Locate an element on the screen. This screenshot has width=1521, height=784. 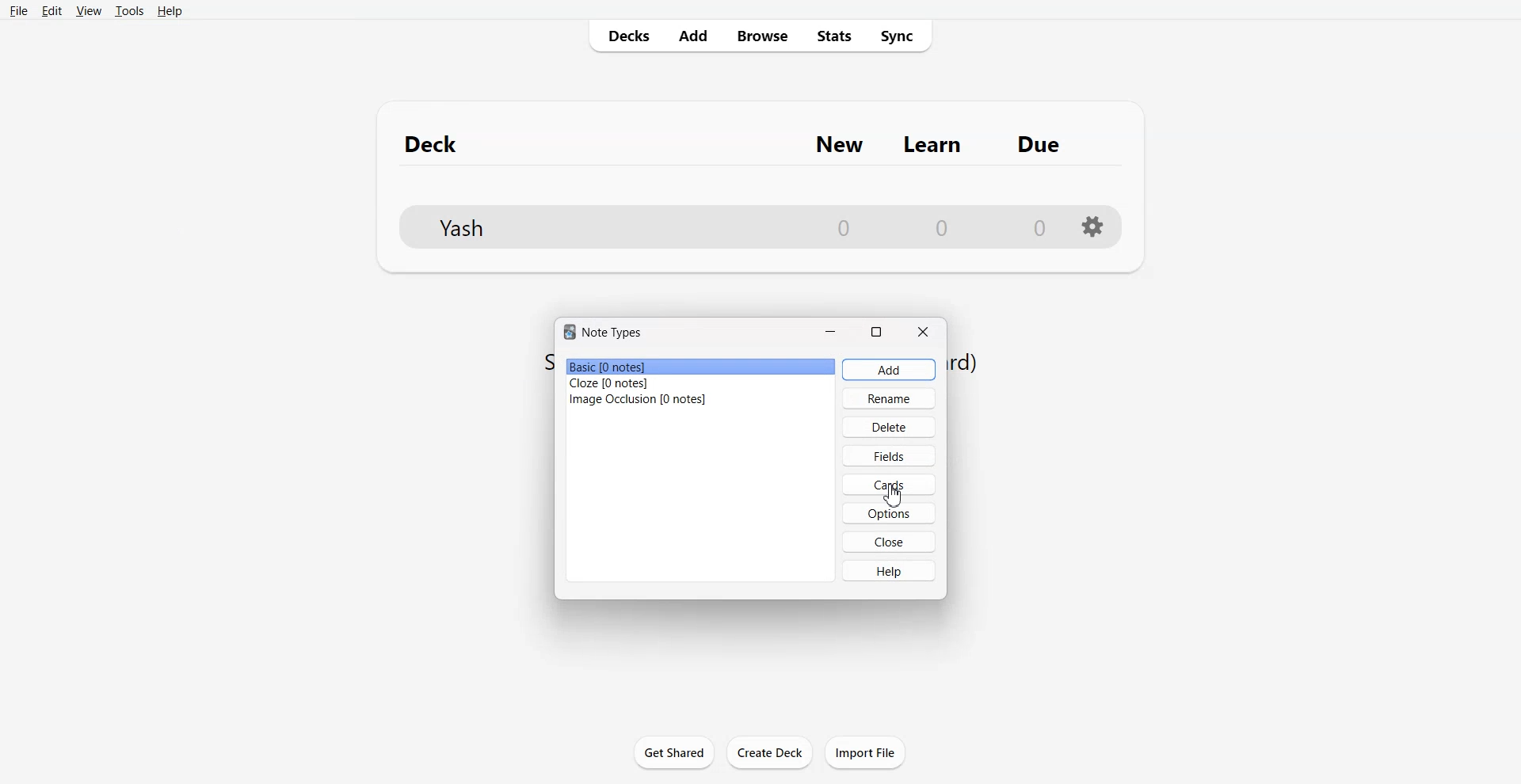
Sync is located at coordinates (900, 35).